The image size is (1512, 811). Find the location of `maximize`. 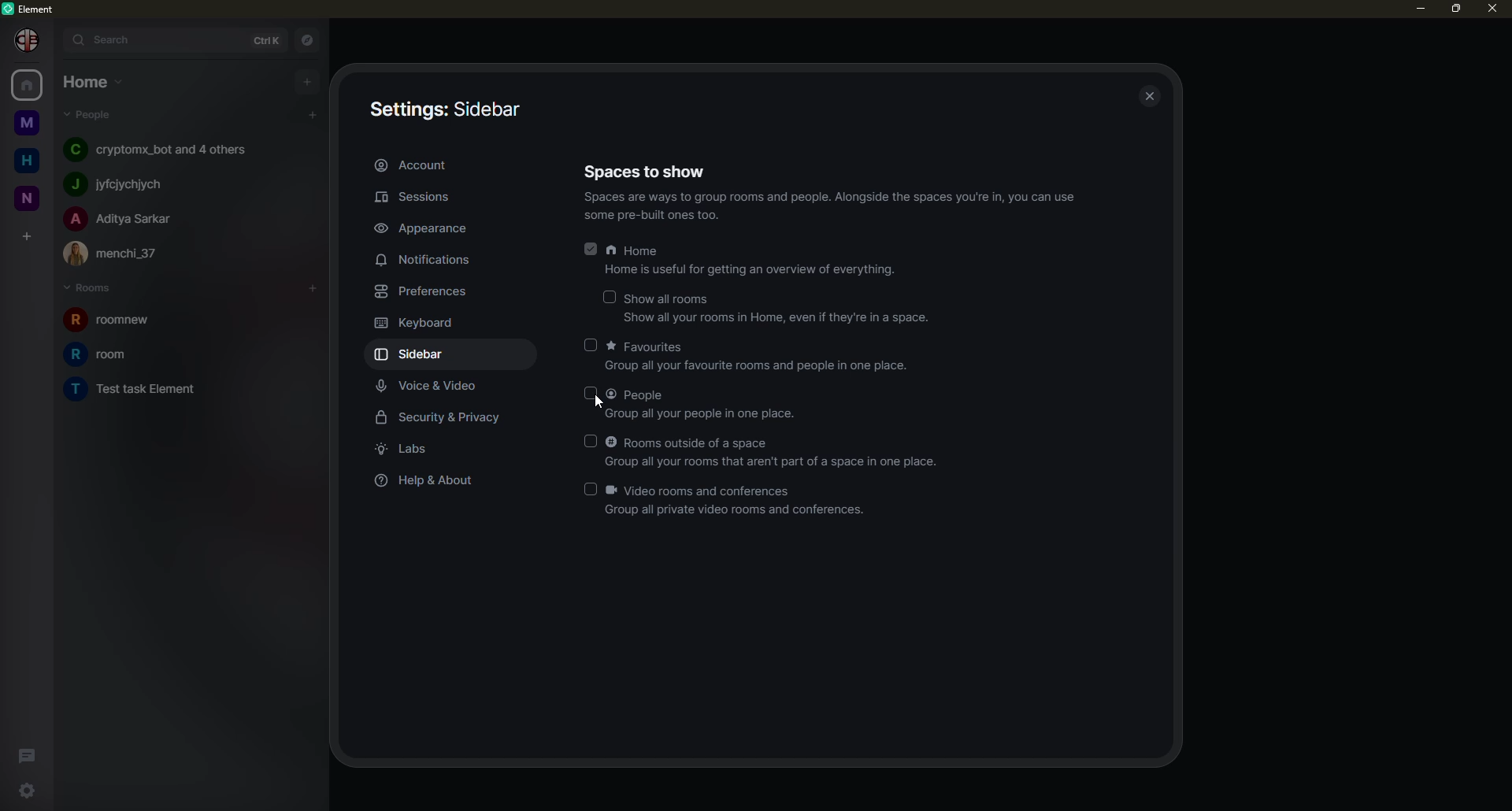

maximize is located at coordinates (1455, 9).